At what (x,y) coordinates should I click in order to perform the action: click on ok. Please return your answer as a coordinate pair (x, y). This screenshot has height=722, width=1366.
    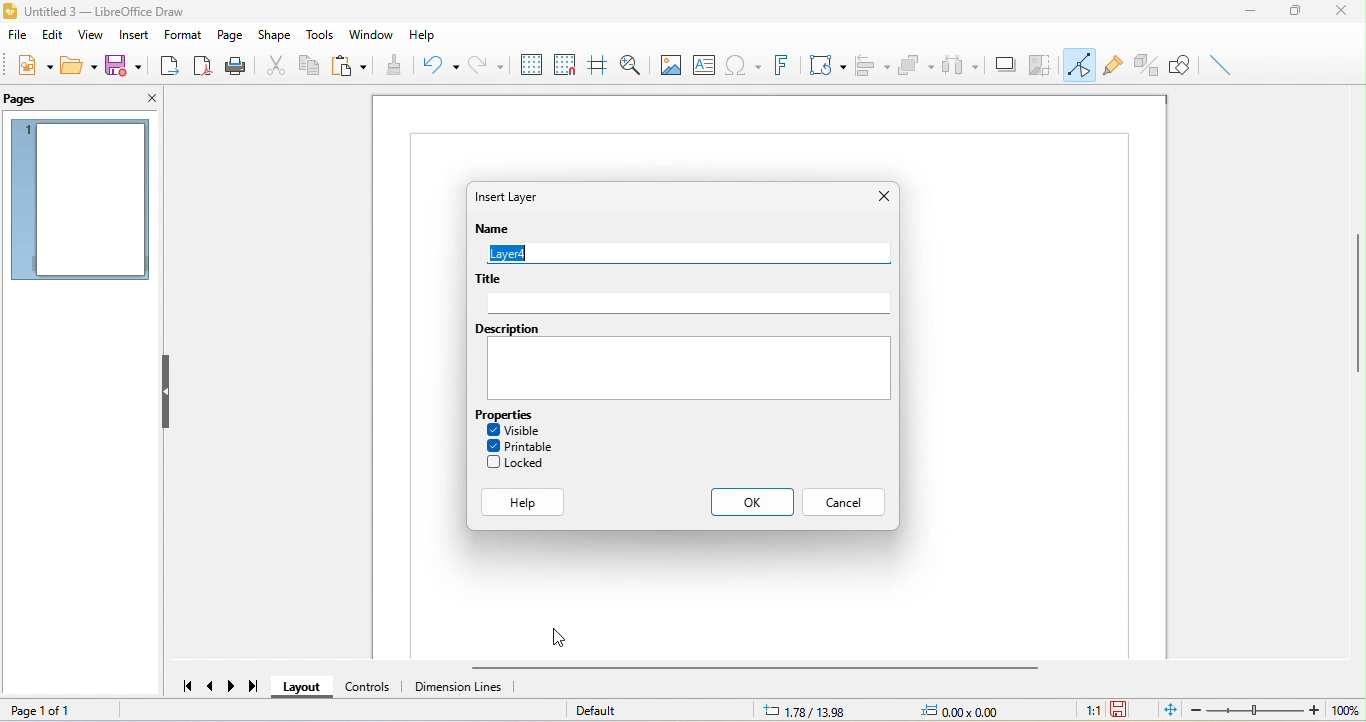
    Looking at the image, I should click on (752, 502).